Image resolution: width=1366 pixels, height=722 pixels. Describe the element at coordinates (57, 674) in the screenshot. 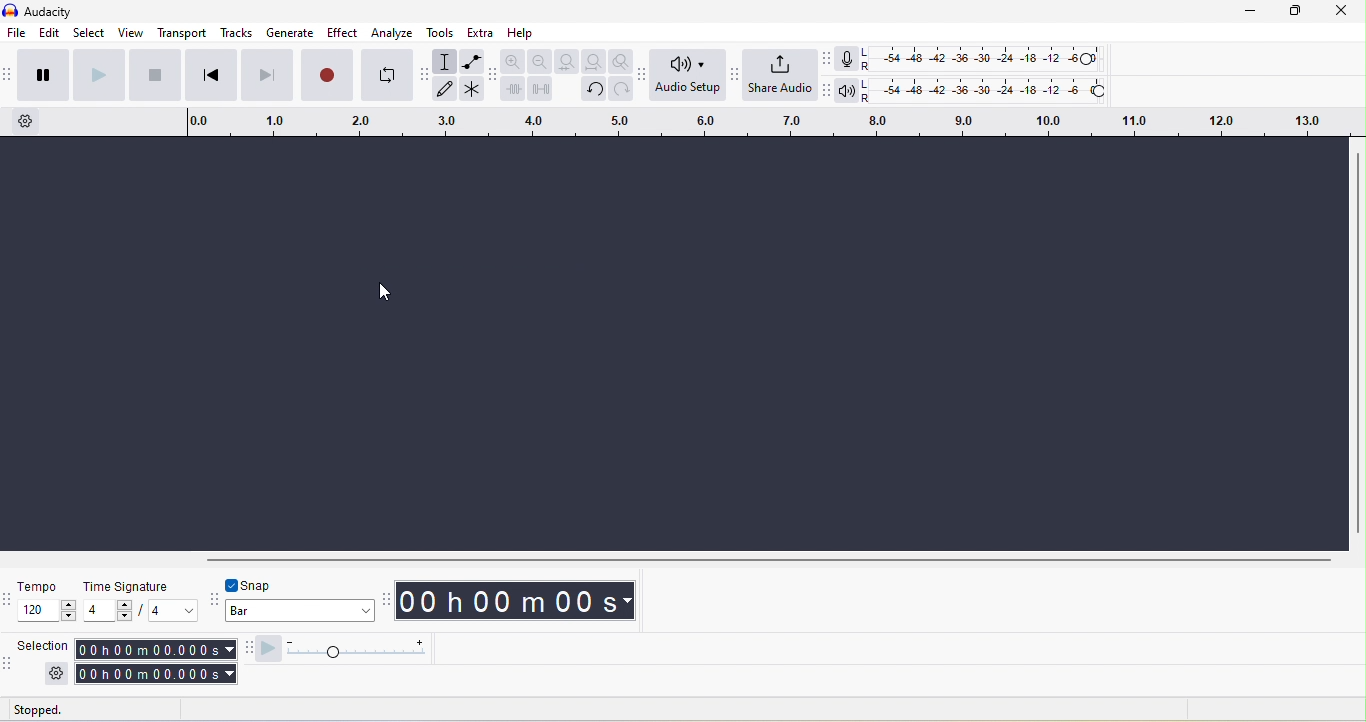

I see `selection settings` at that location.